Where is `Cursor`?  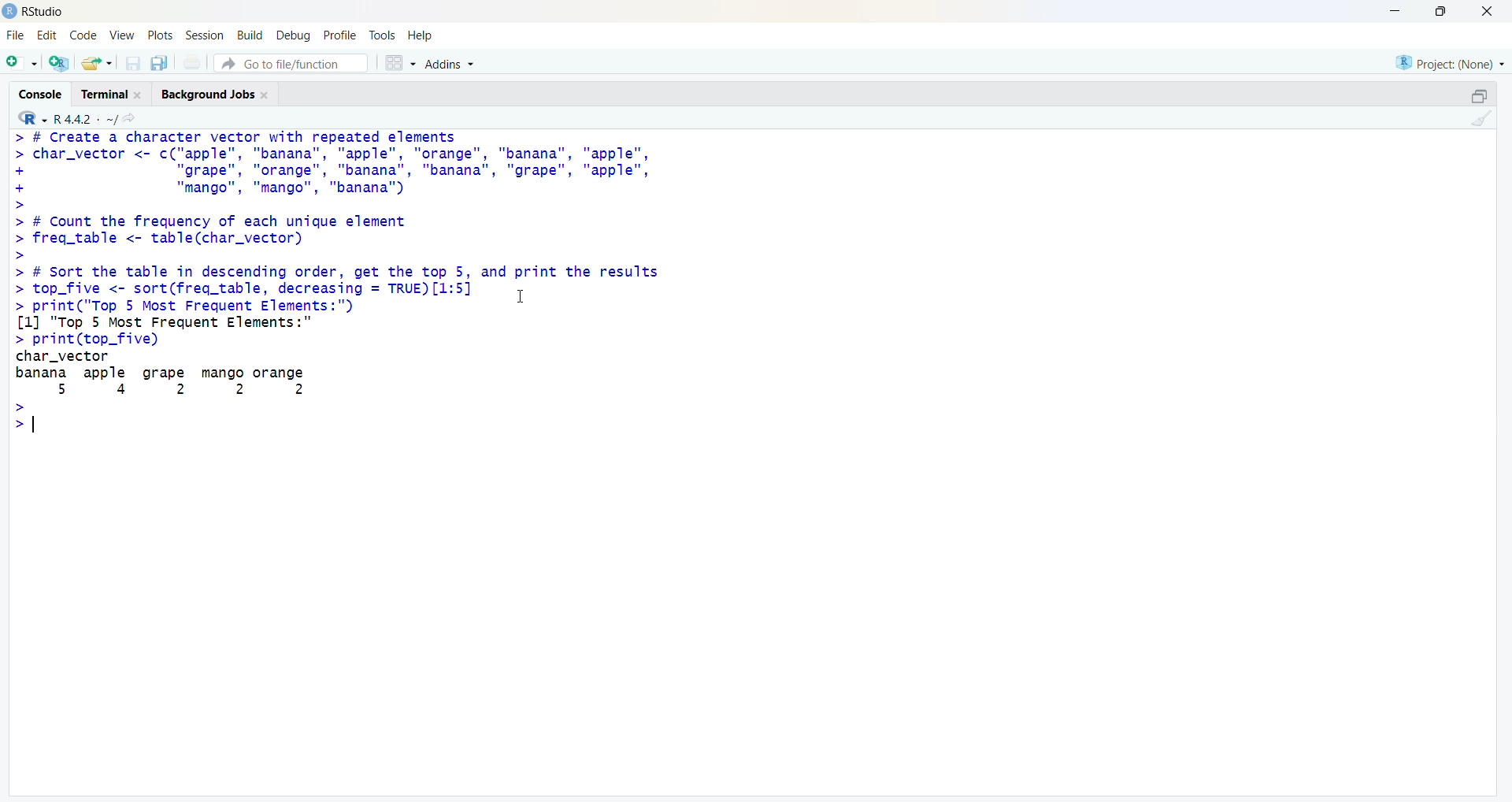
Cursor is located at coordinates (527, 295).